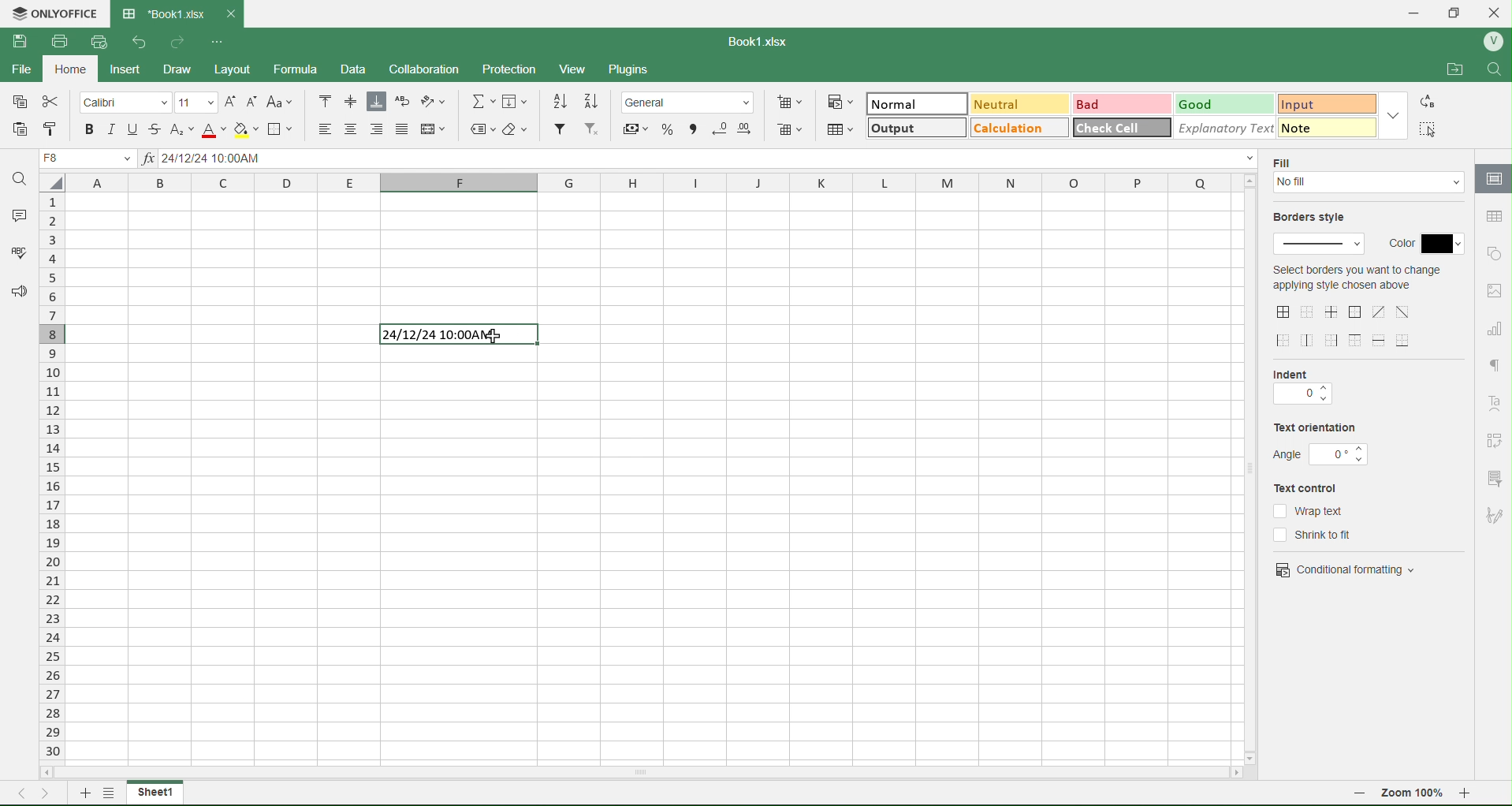  Describe the element at coordinates (1379, 312) in the screenshot. I see `center` at that location.